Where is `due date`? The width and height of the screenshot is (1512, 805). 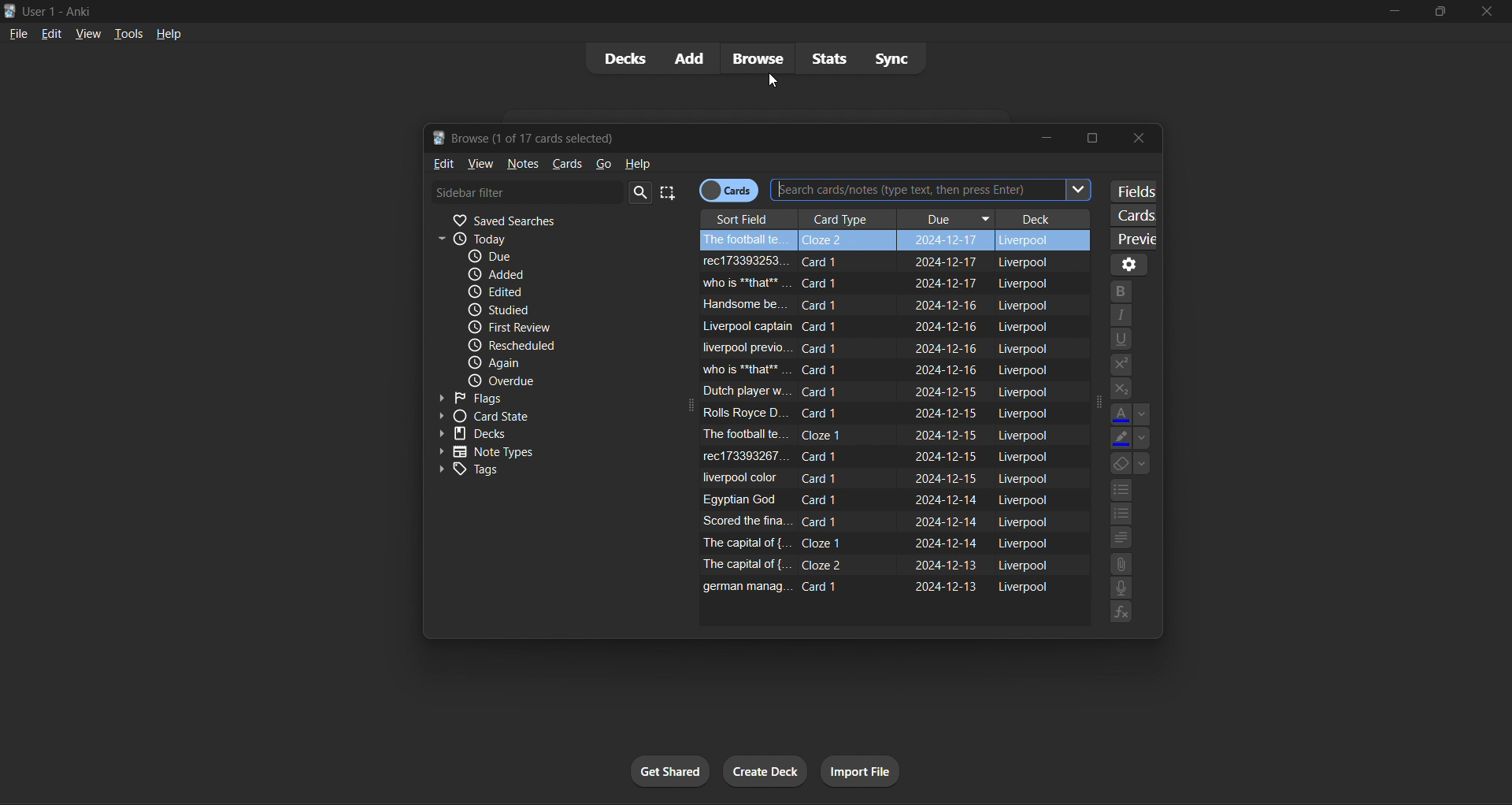
due date is located at coordinates (950, 349).